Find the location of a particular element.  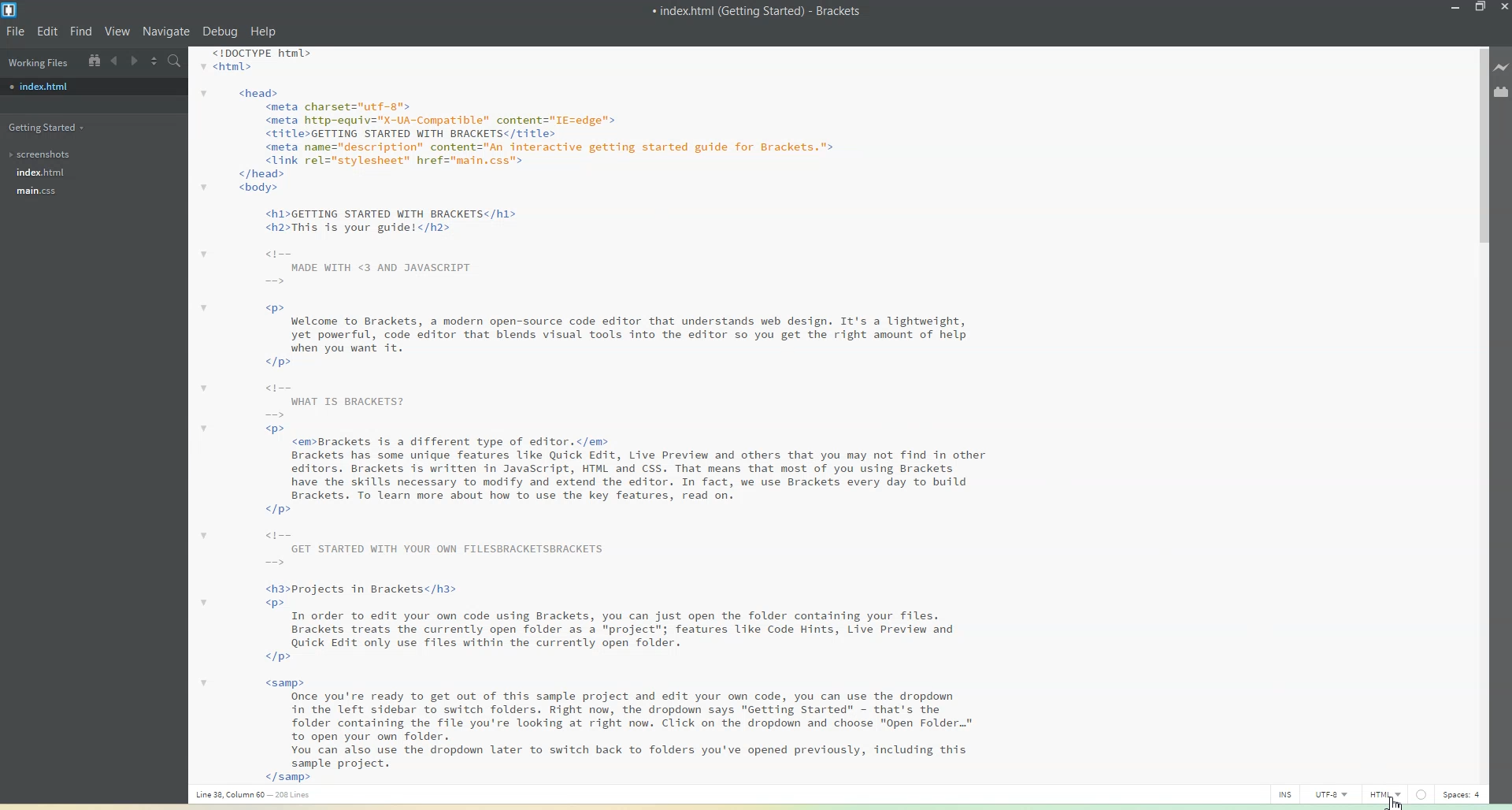

Live preview is located at coordinates (1503, 65).